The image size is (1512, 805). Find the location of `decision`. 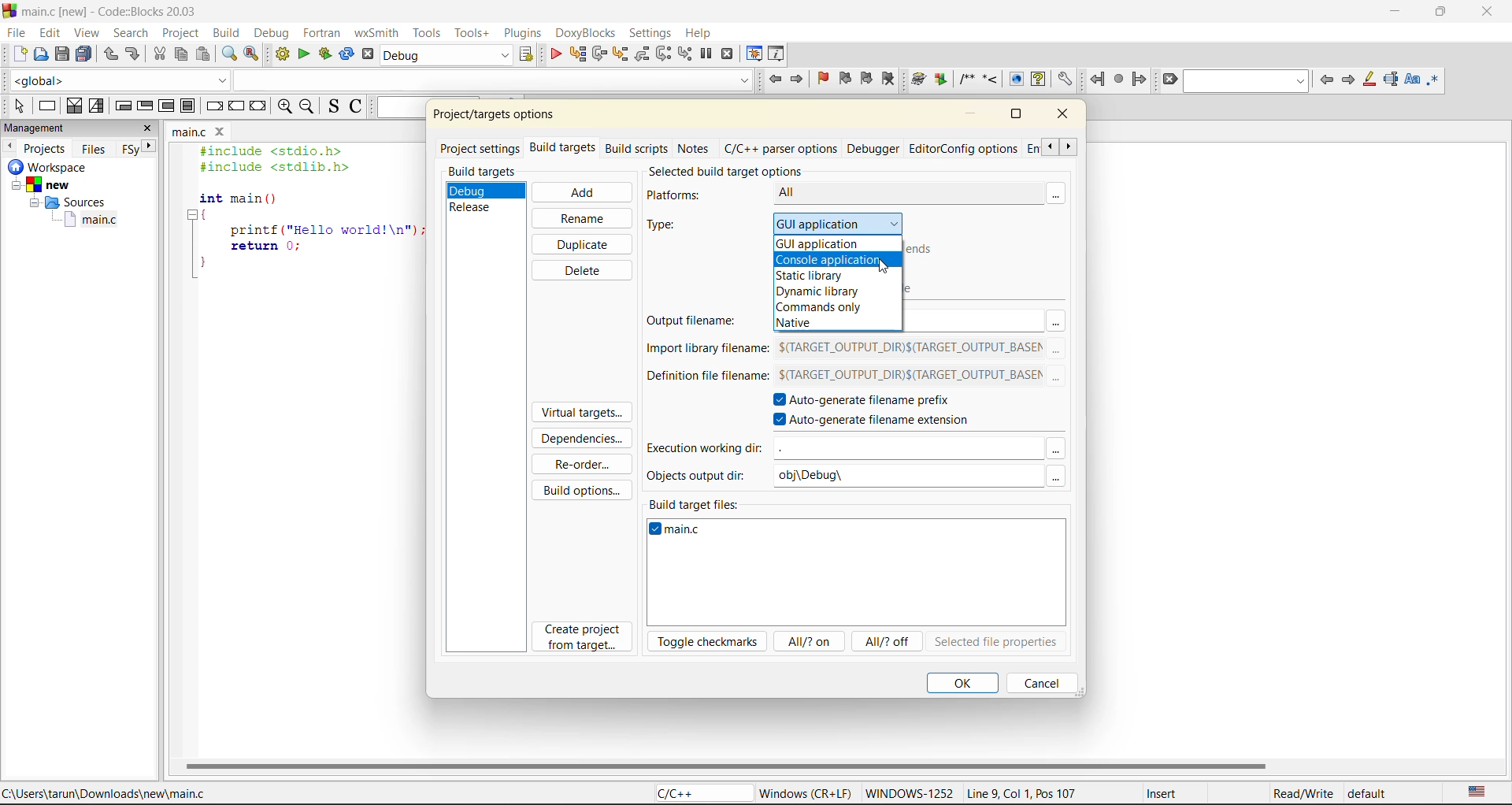

decision is located at coordinates (74, 106).